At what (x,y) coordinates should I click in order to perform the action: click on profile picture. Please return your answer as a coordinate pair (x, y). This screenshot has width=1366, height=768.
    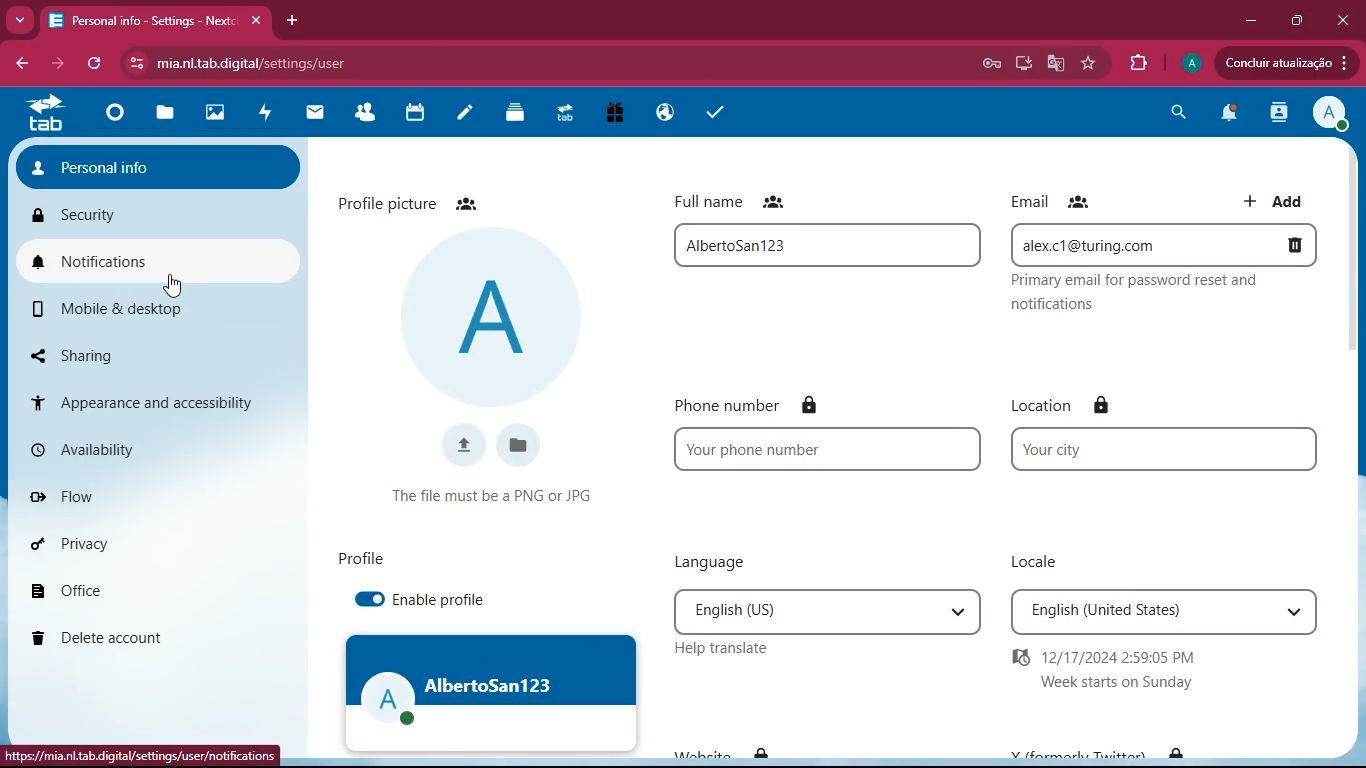
    Looking at the image, I should click on (424, 200).